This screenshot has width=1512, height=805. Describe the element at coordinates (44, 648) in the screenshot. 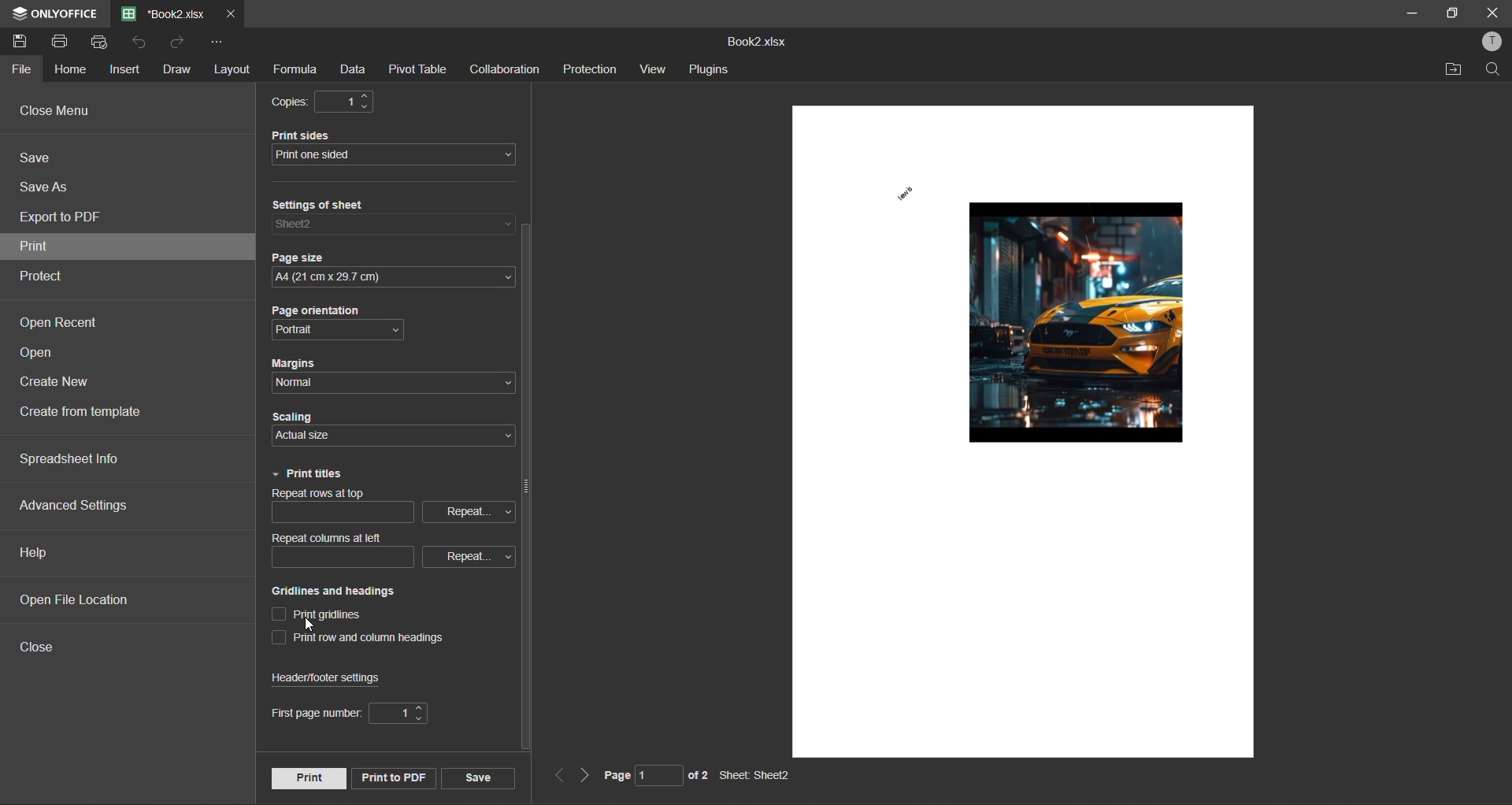

I see `close` at that location.